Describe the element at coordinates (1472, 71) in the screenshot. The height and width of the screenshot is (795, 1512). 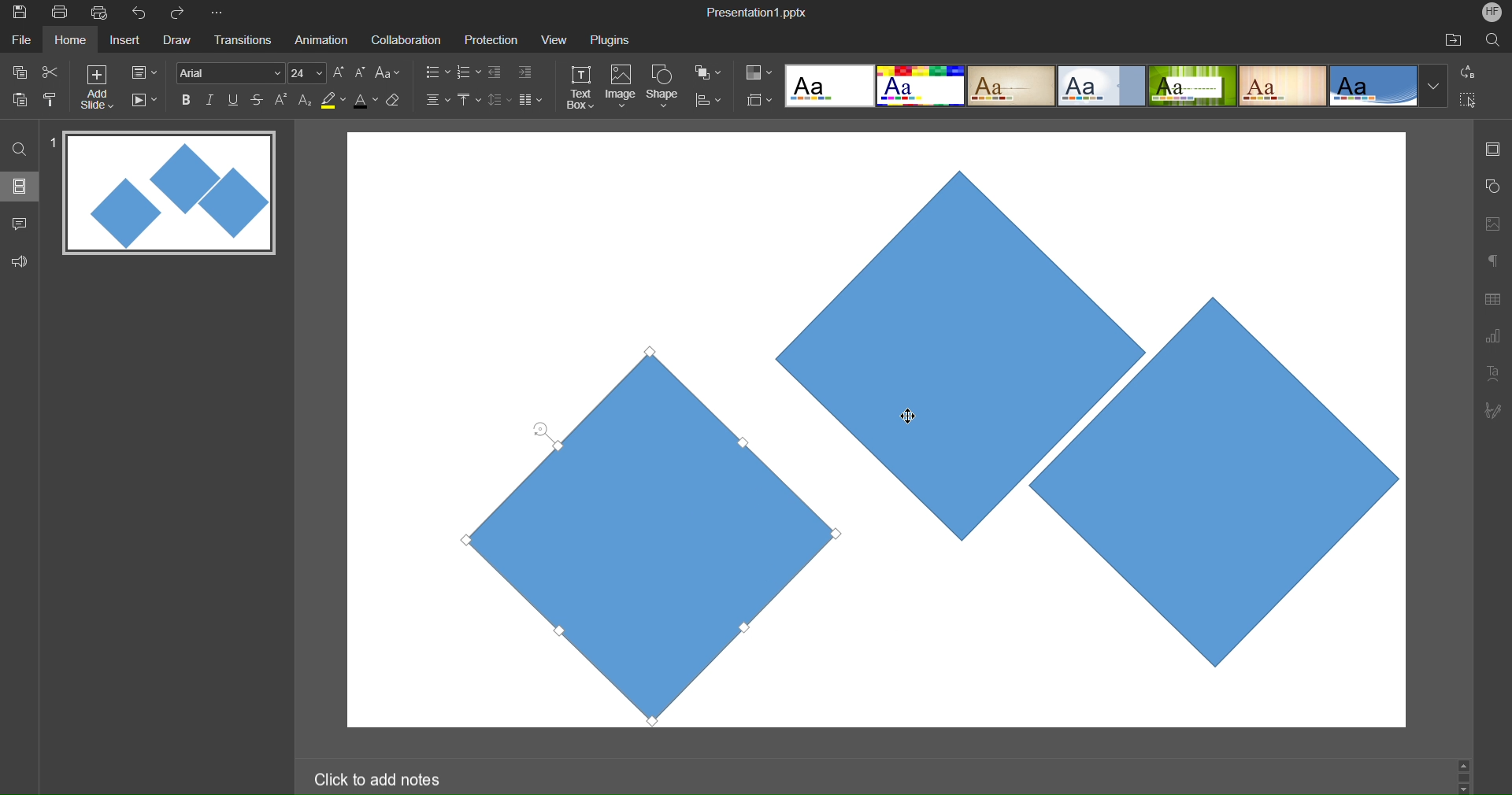
I see `a to b` at that location.